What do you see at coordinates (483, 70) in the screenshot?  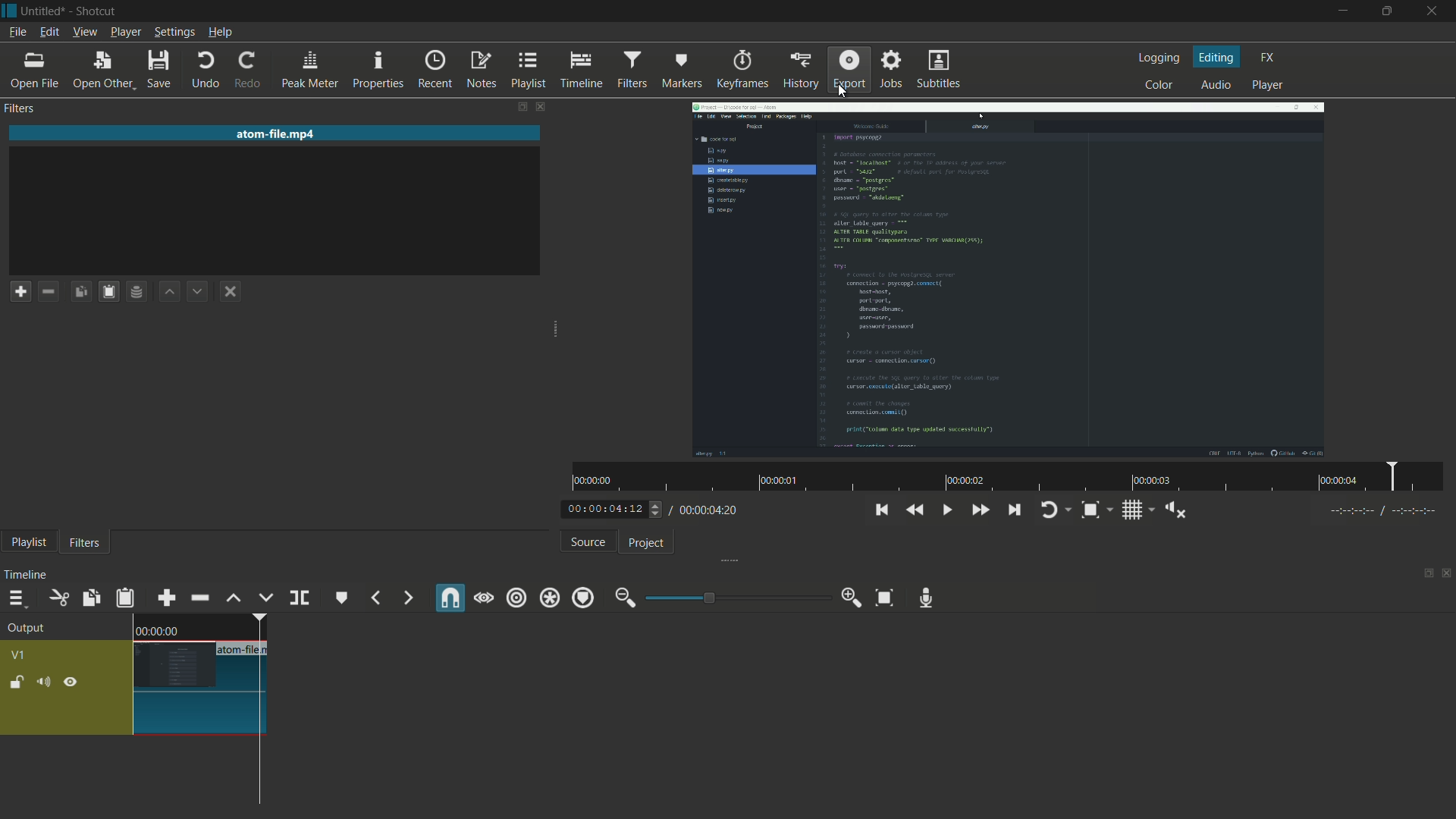 I see `notes` at bounding box center [483, 70].